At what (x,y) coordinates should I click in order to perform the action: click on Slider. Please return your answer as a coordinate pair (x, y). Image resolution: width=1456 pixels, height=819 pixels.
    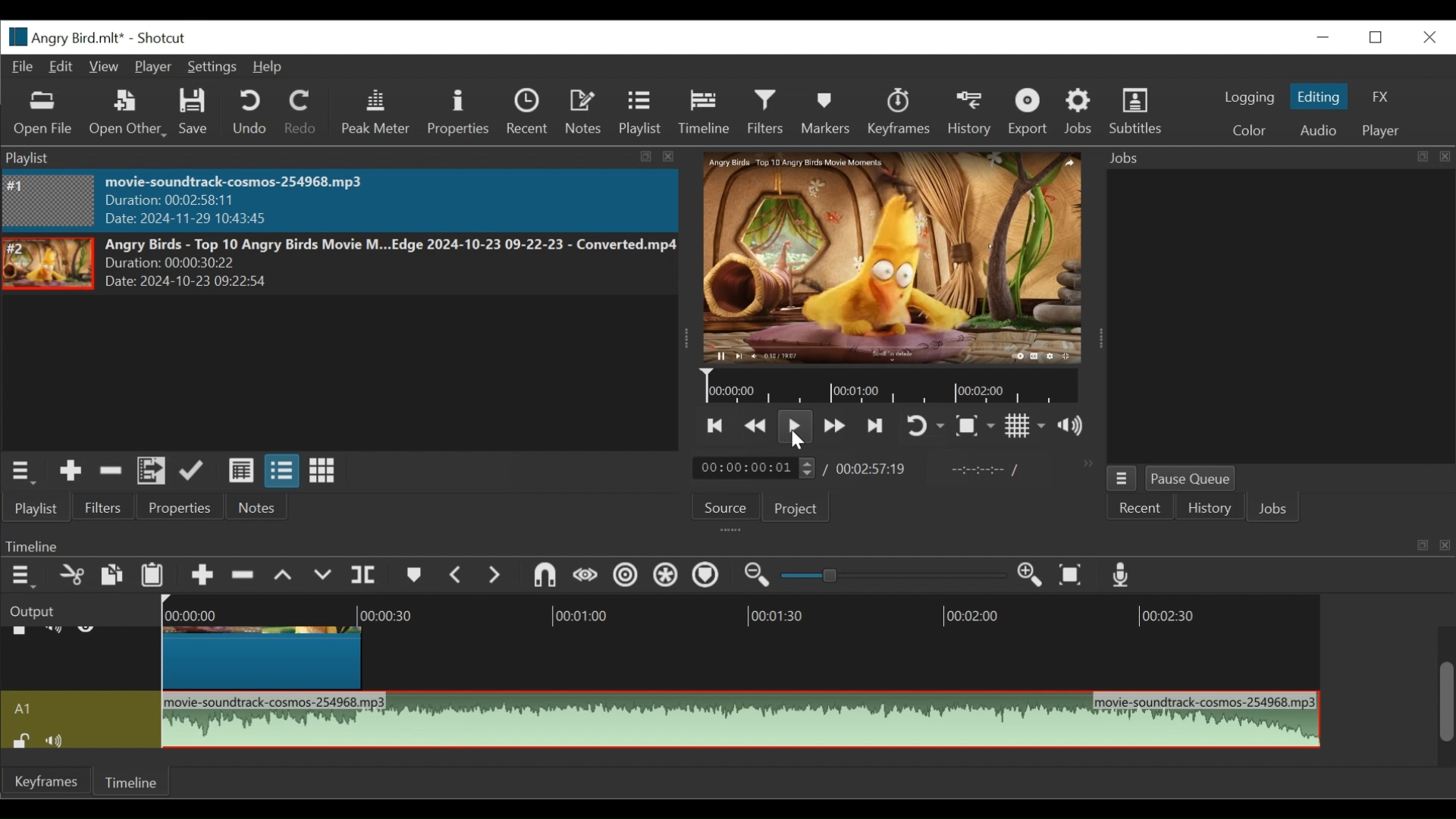
    Looking at the image, I should click on (894, 577).